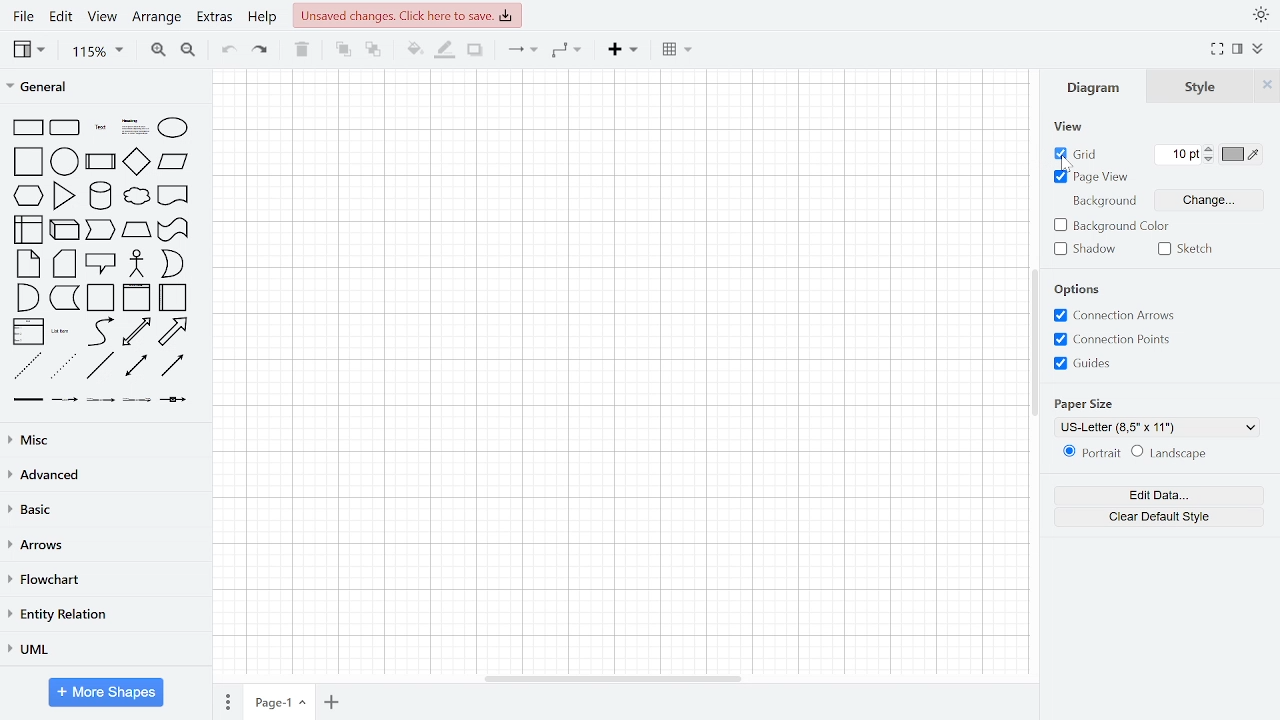 Image resolution: width=1280 pixels, height=720 pixels. I want to click on undo, so click(226, 51).